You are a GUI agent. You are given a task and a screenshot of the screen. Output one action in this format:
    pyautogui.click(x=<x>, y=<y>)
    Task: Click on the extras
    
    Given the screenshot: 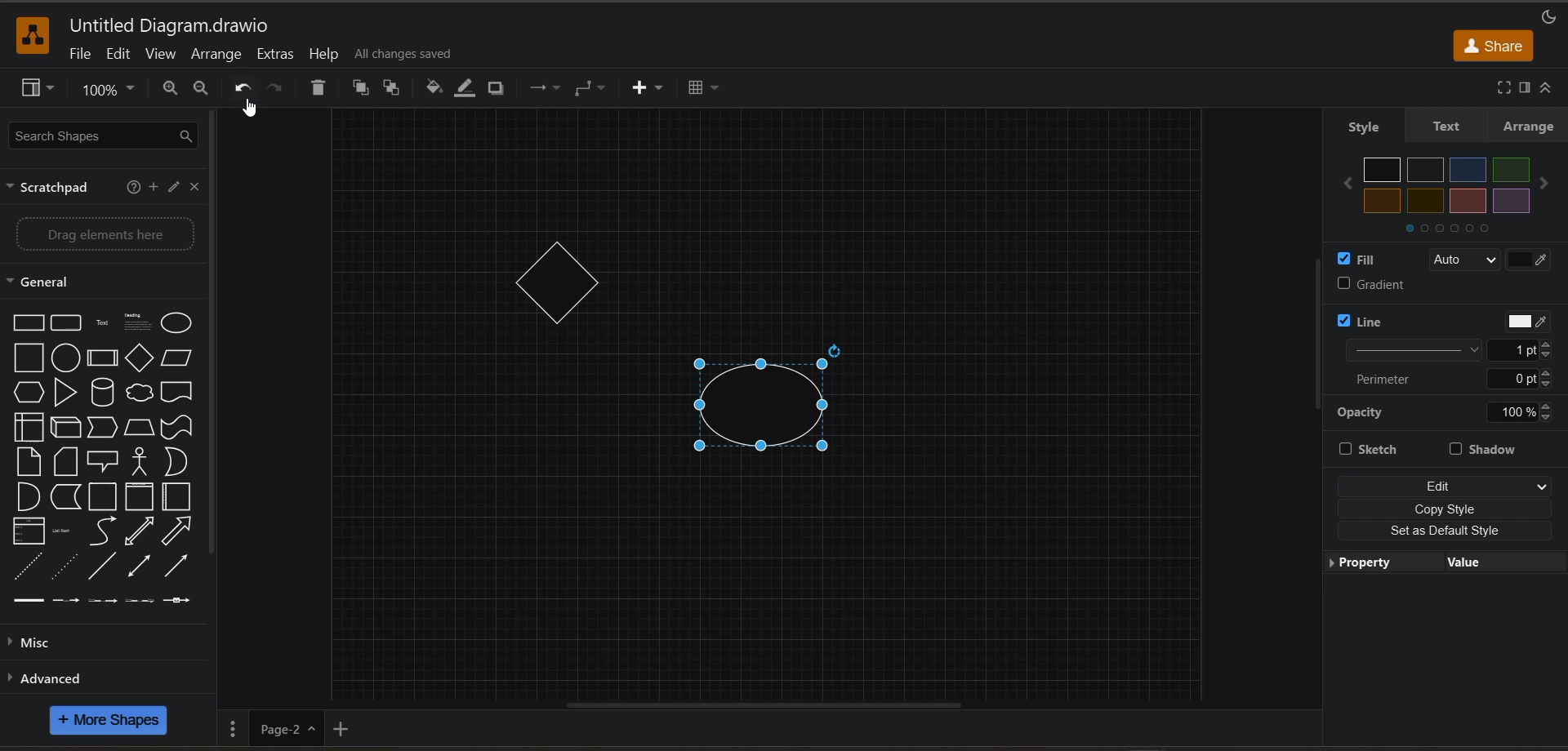 What is the action you would take?
    pyautogui.click(x=277, y=56)
    